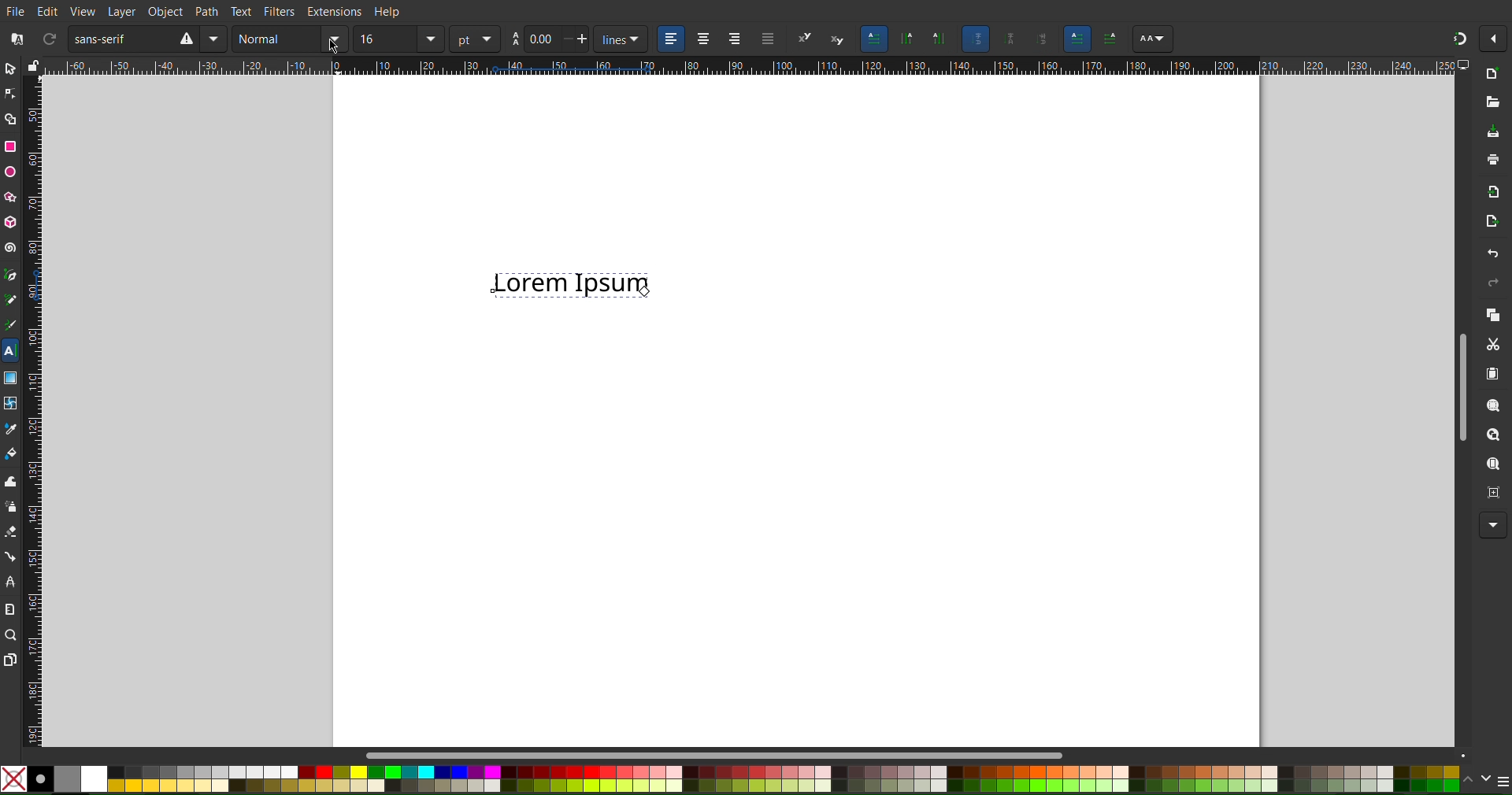 The height and width of the screenshot is (795, 1512). What do you see at coordinates (11, 556) in the screenshot?
I see `Connection` at bounding box center [11, 556].